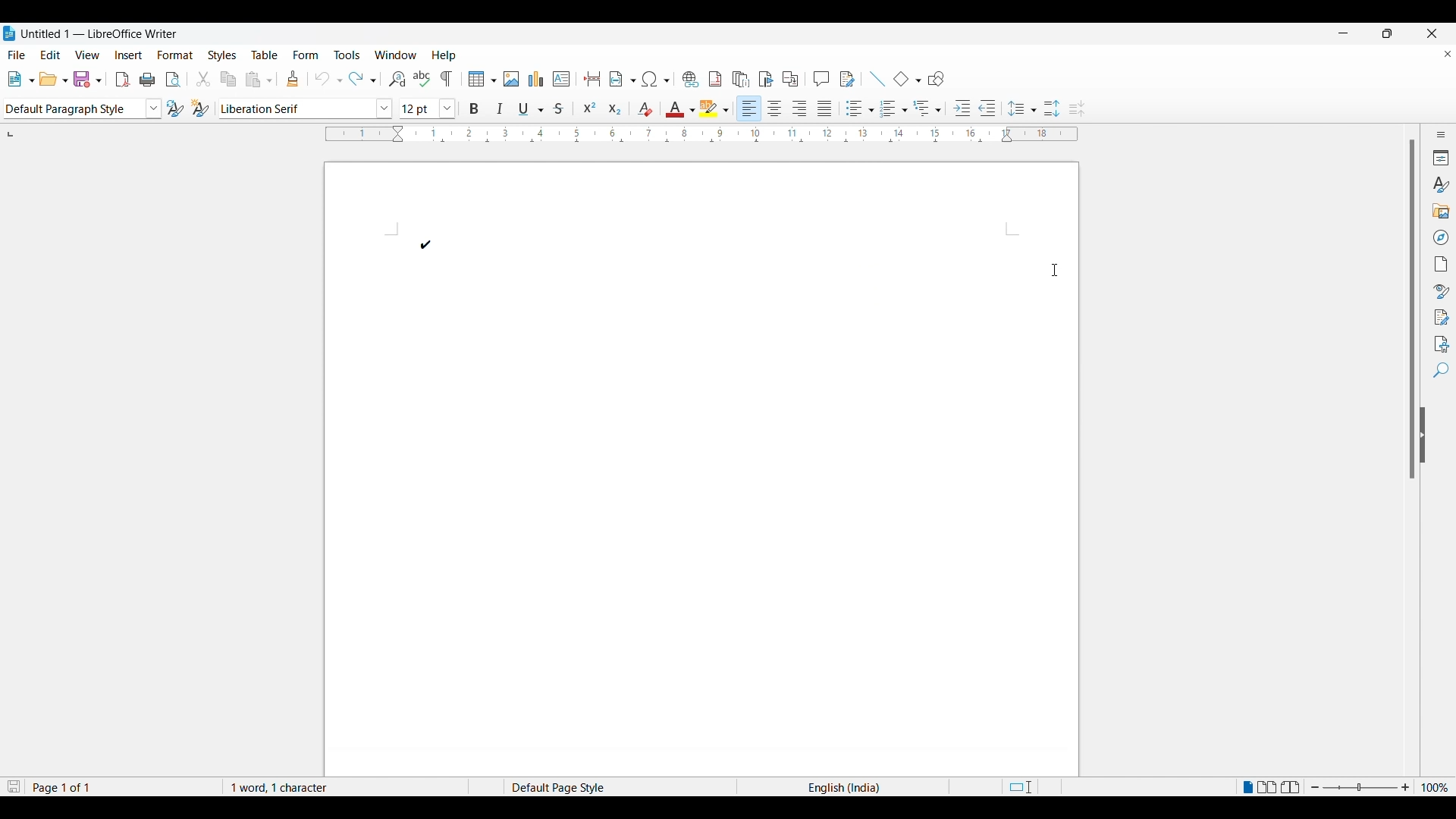  Describe the element at coordinates (347, 53) in the screenshot. I see `Tools` at that location.